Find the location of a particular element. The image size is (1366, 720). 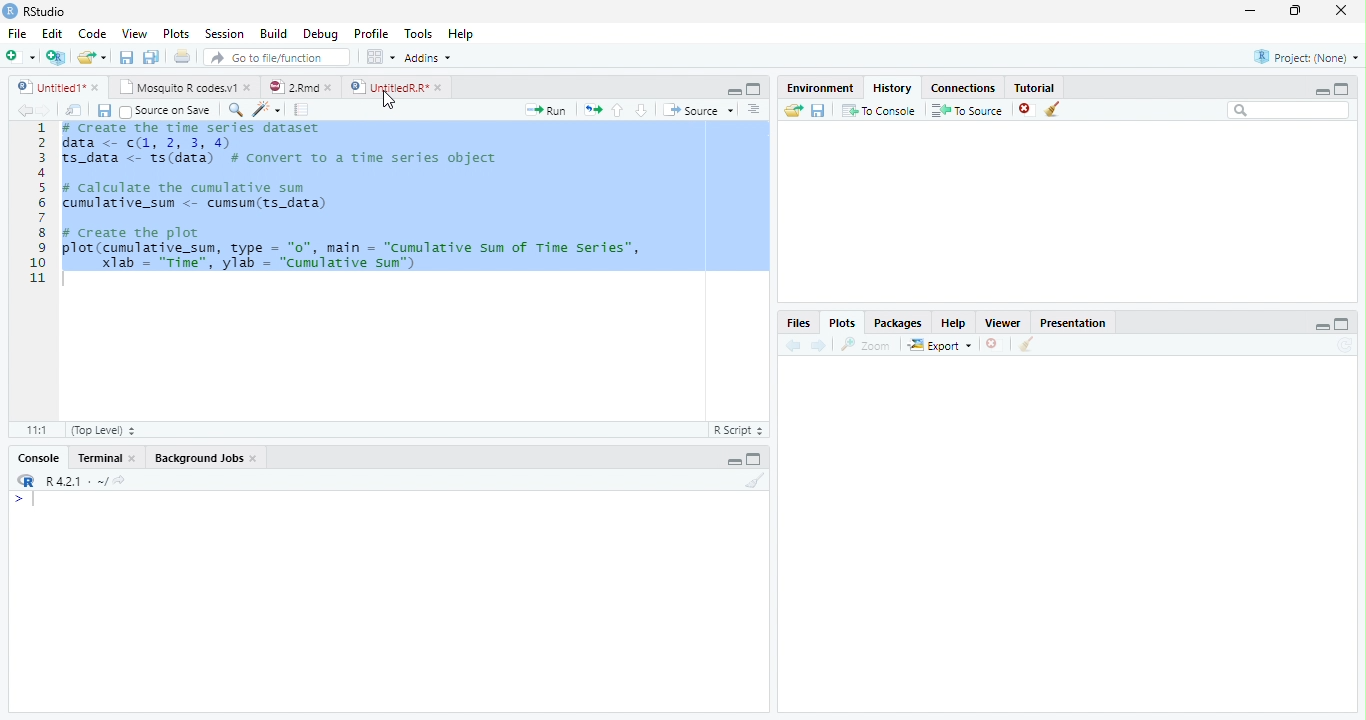

Open an existing file is located at coordinates (94, 57).